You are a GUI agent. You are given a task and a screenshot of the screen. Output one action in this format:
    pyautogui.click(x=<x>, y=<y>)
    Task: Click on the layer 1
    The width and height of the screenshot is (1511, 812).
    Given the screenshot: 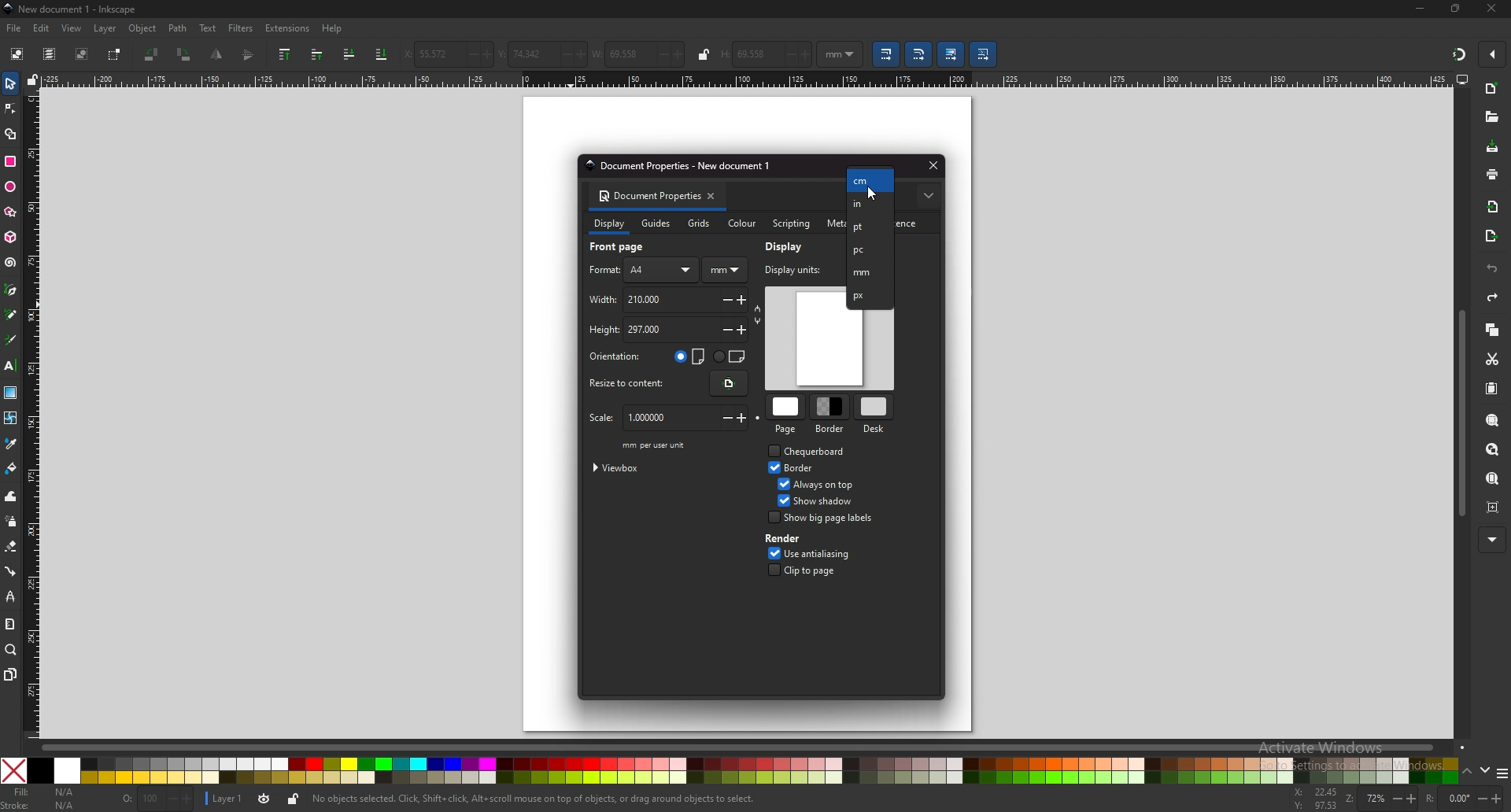 What is the action you would take?
    pyautogui.click(x=224, y=799)
    